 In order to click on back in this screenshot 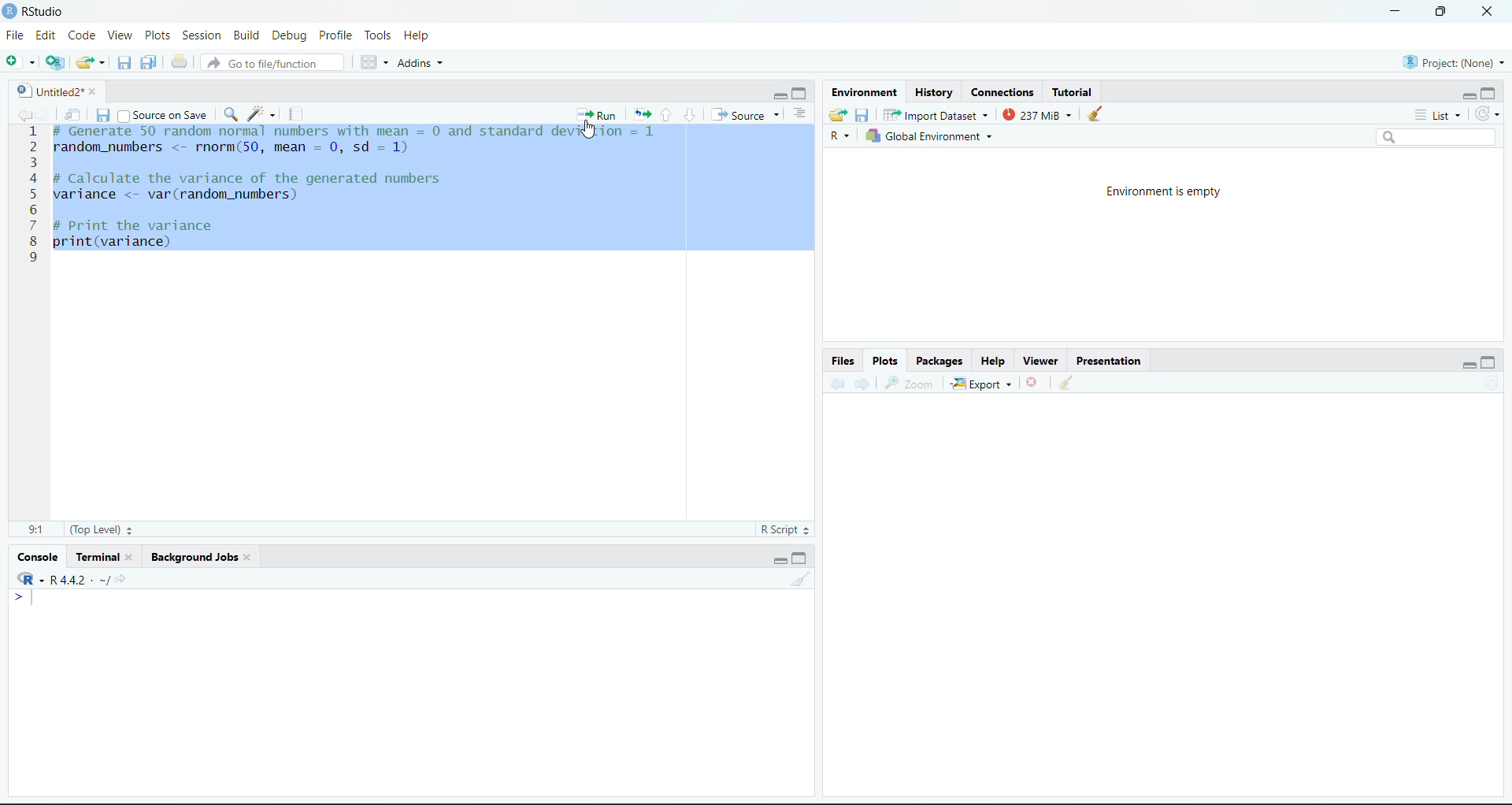, I will do `click(836, 384)`.